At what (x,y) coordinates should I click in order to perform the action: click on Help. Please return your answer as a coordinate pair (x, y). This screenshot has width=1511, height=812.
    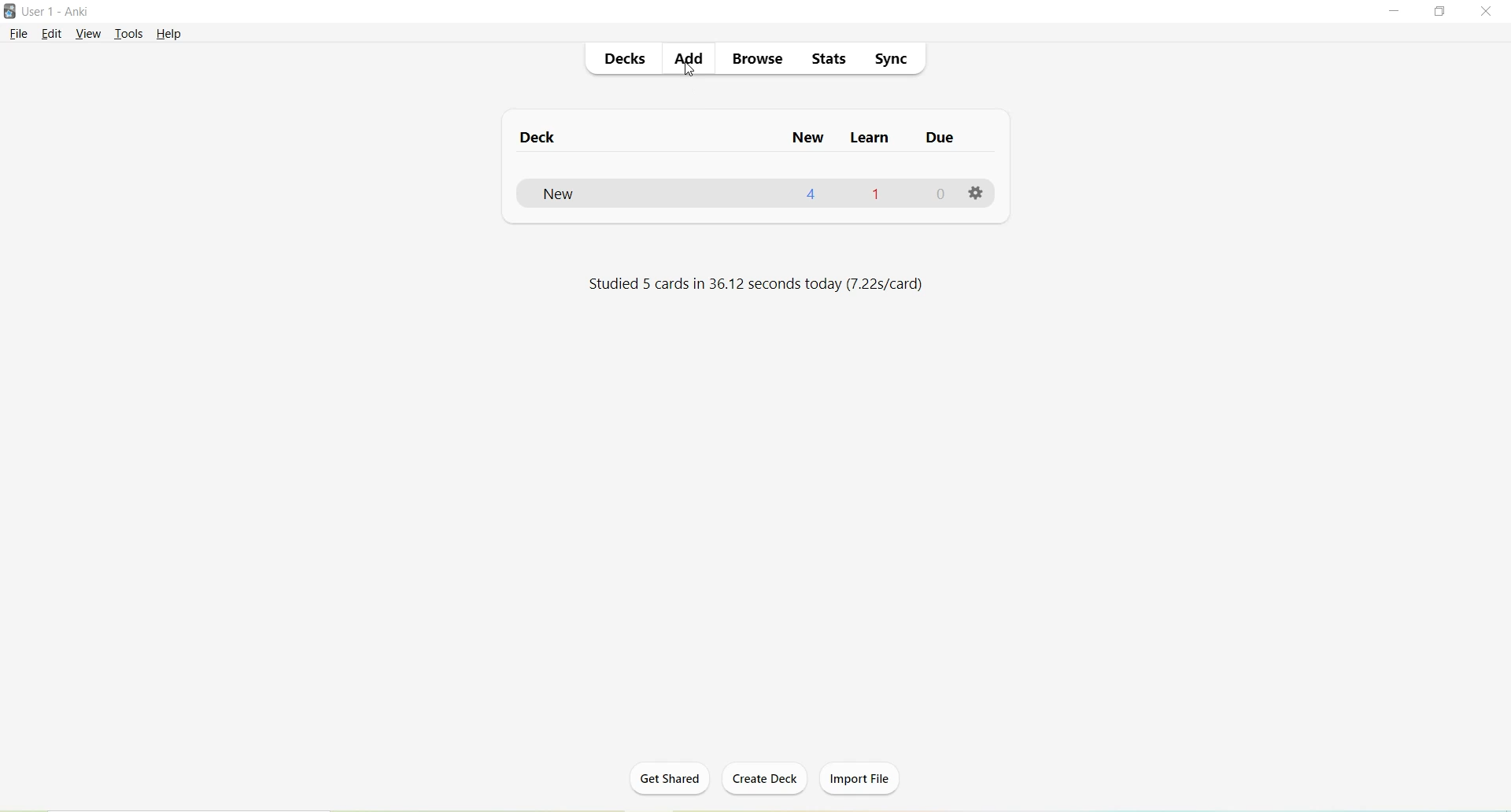
    Looking at the image, I should click on (169, 35).